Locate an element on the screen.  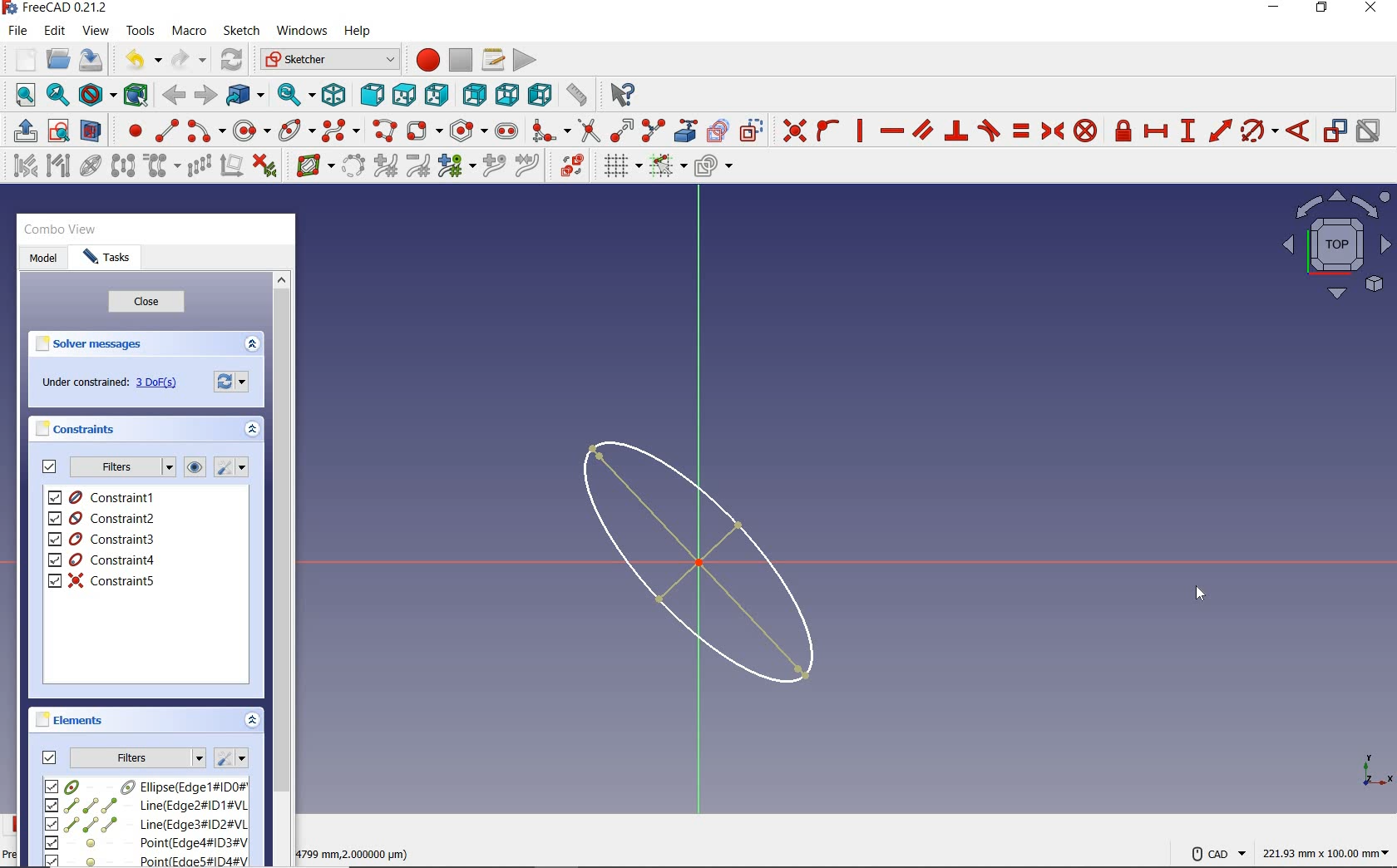
create arc is located at coordinates (206, 129).